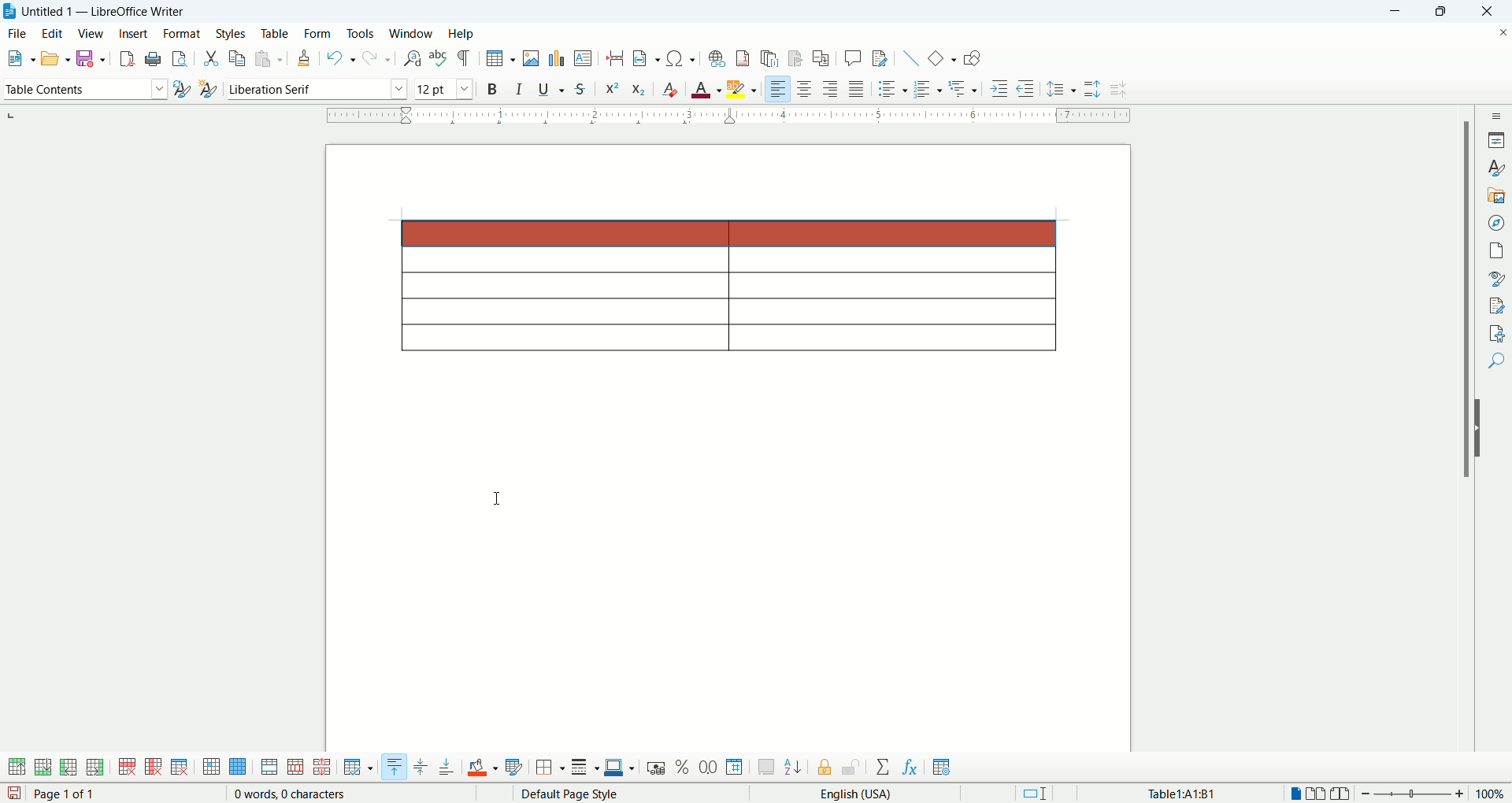  Describe the element at coordinates (315, 89) in the screenshot. I see `font name` at that location.